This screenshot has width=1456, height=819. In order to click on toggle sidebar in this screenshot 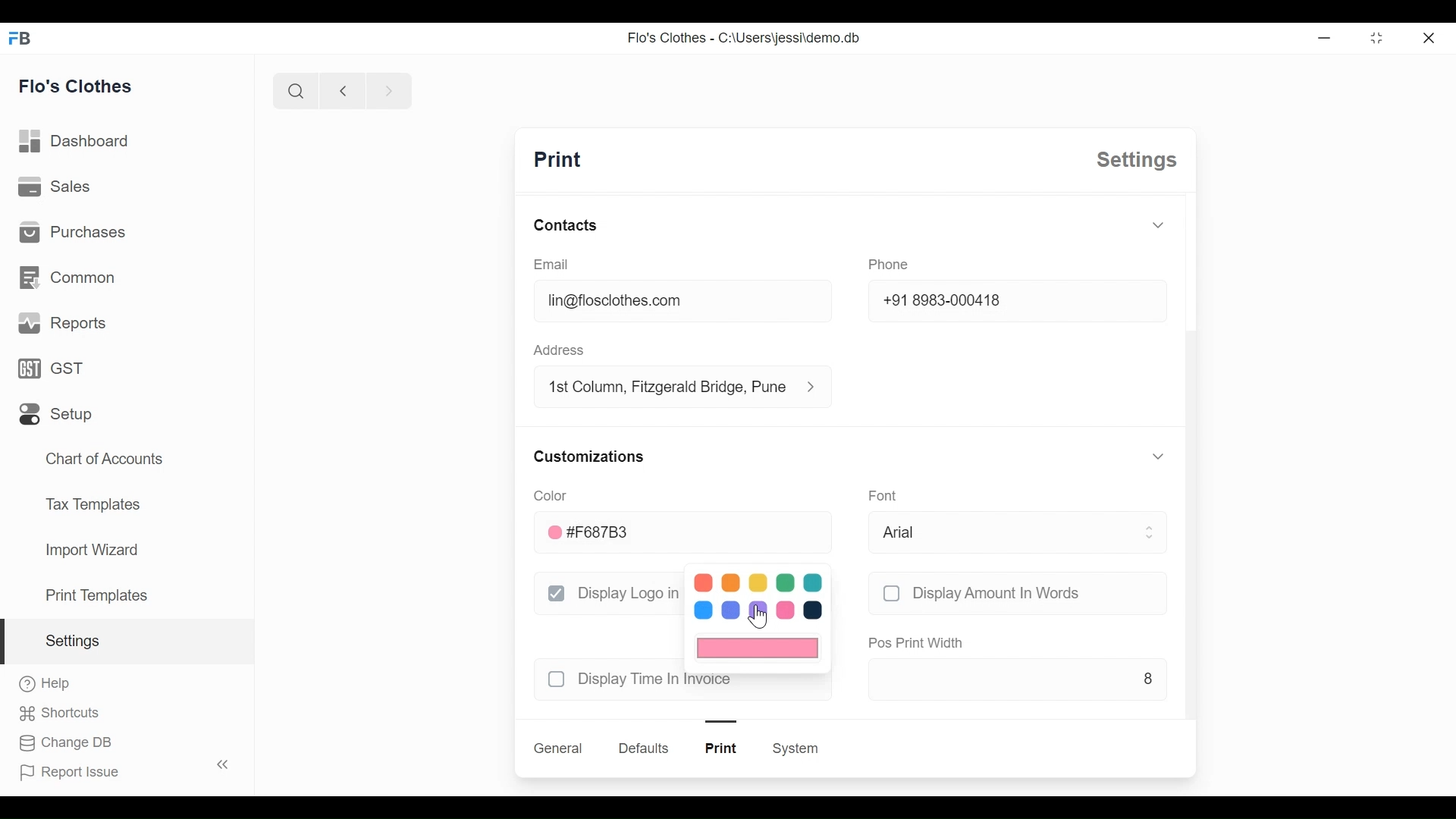, I will do `click(224, 764)`.